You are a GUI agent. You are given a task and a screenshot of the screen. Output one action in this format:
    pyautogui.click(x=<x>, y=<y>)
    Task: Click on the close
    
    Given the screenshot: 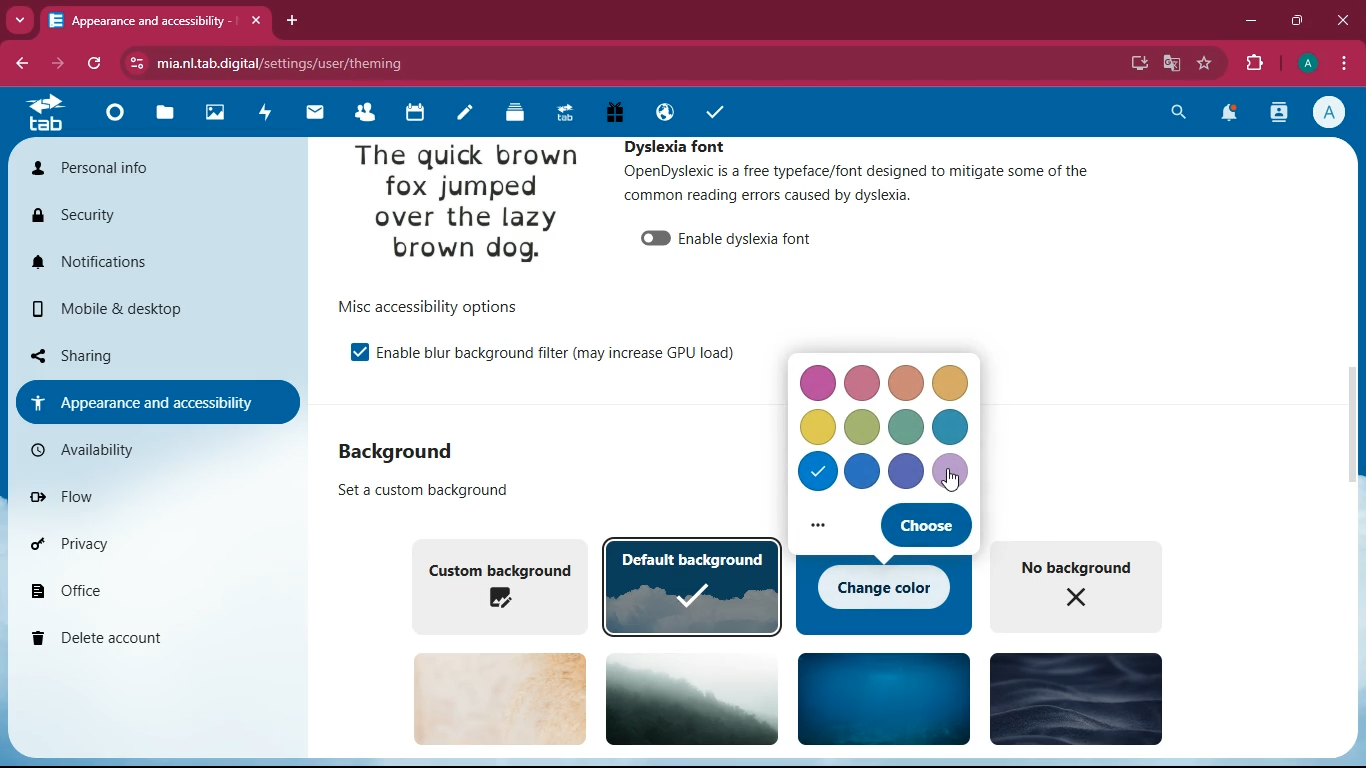 What is the action you would take?
    pyautogui.click(x=1344, y=21)
    